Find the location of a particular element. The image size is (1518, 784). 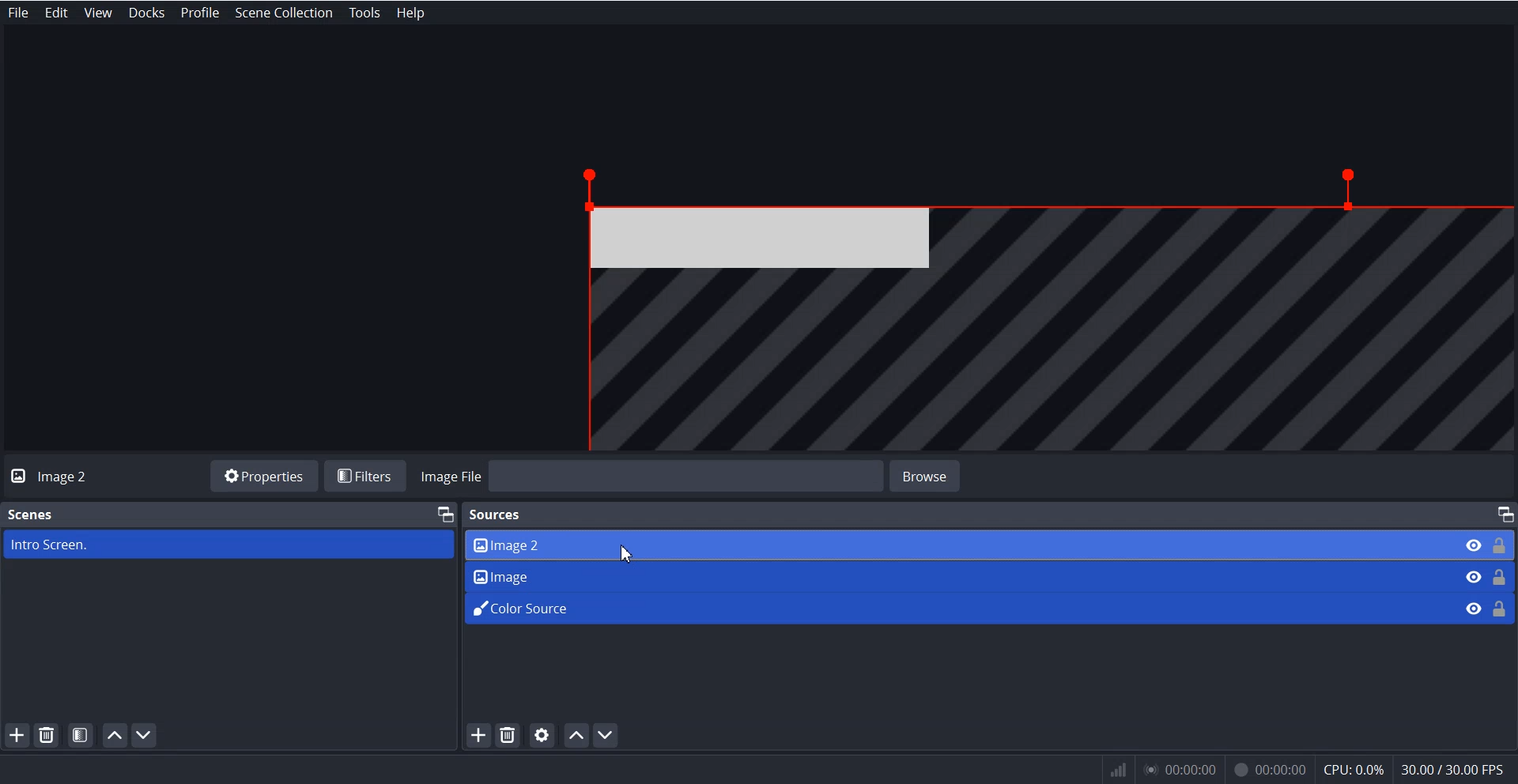

Move Scene down is located at coordinates (147, 735).